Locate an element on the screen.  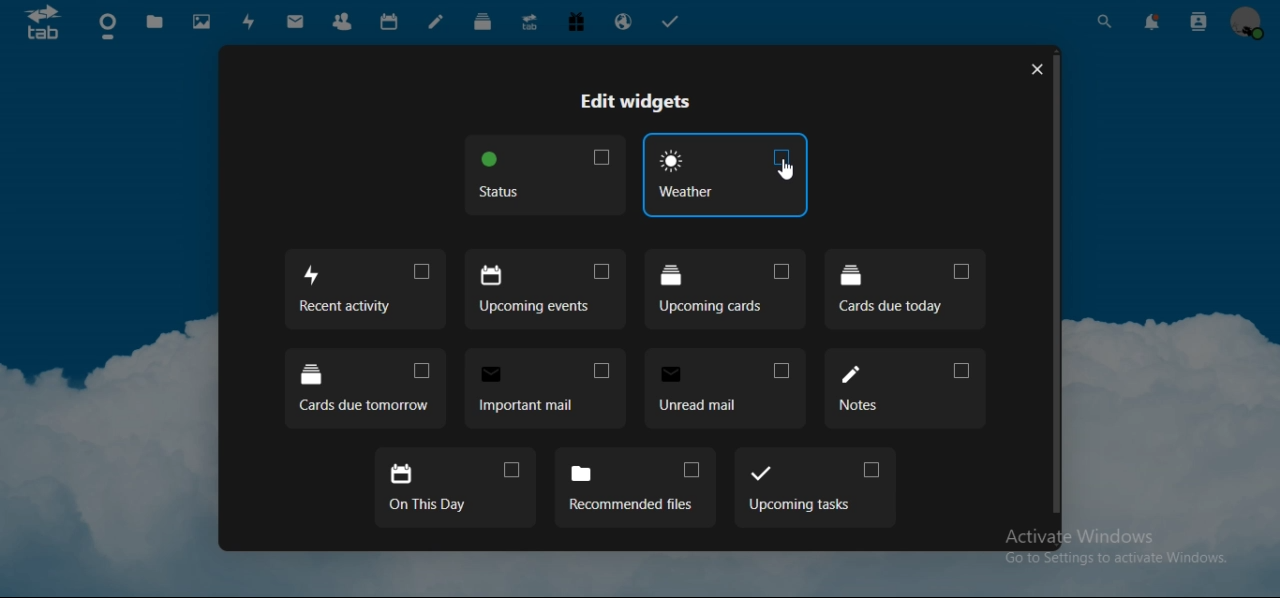
deck is located at coordinates (486, 22).